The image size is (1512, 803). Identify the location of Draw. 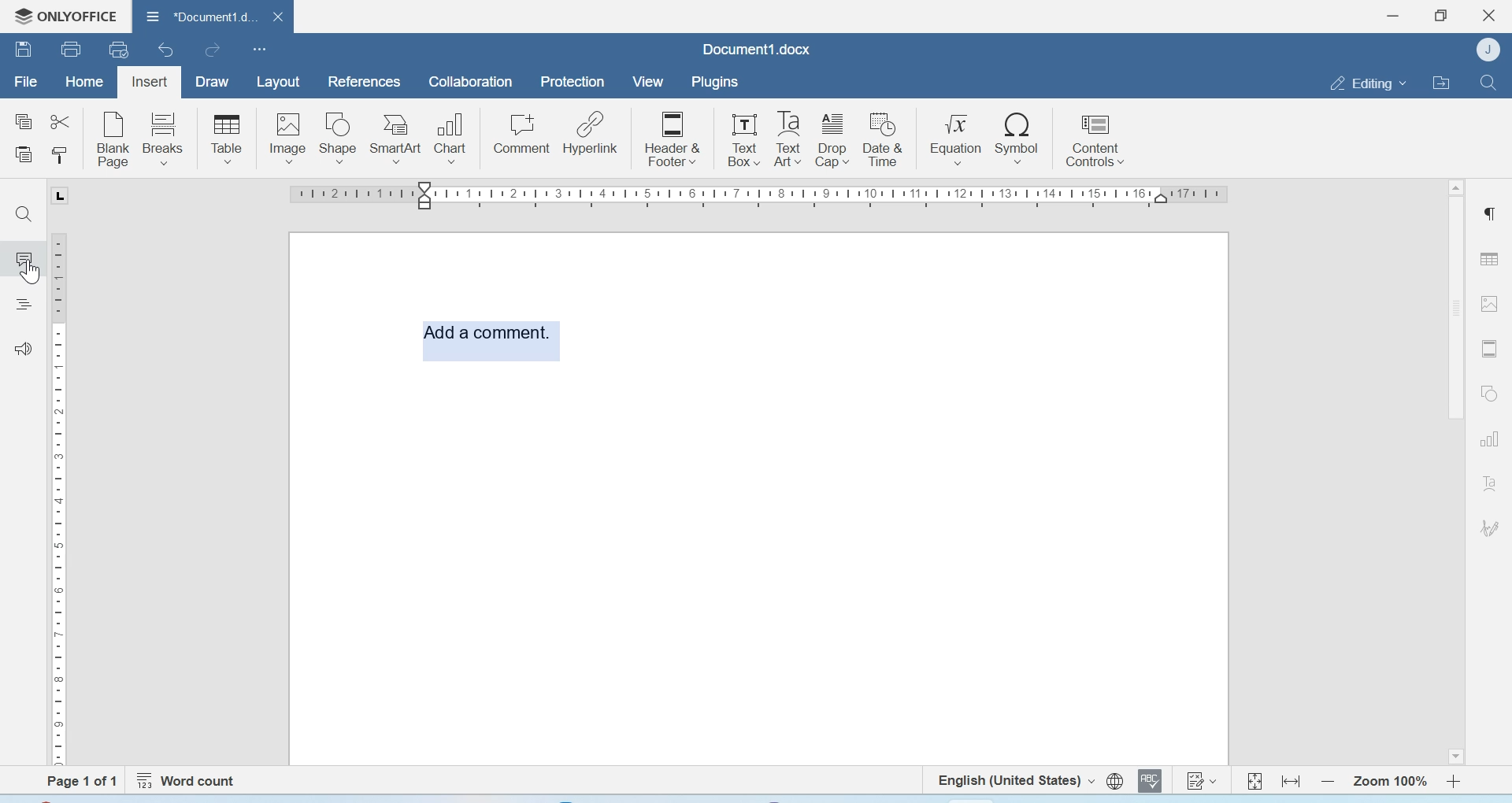
(213, 83).